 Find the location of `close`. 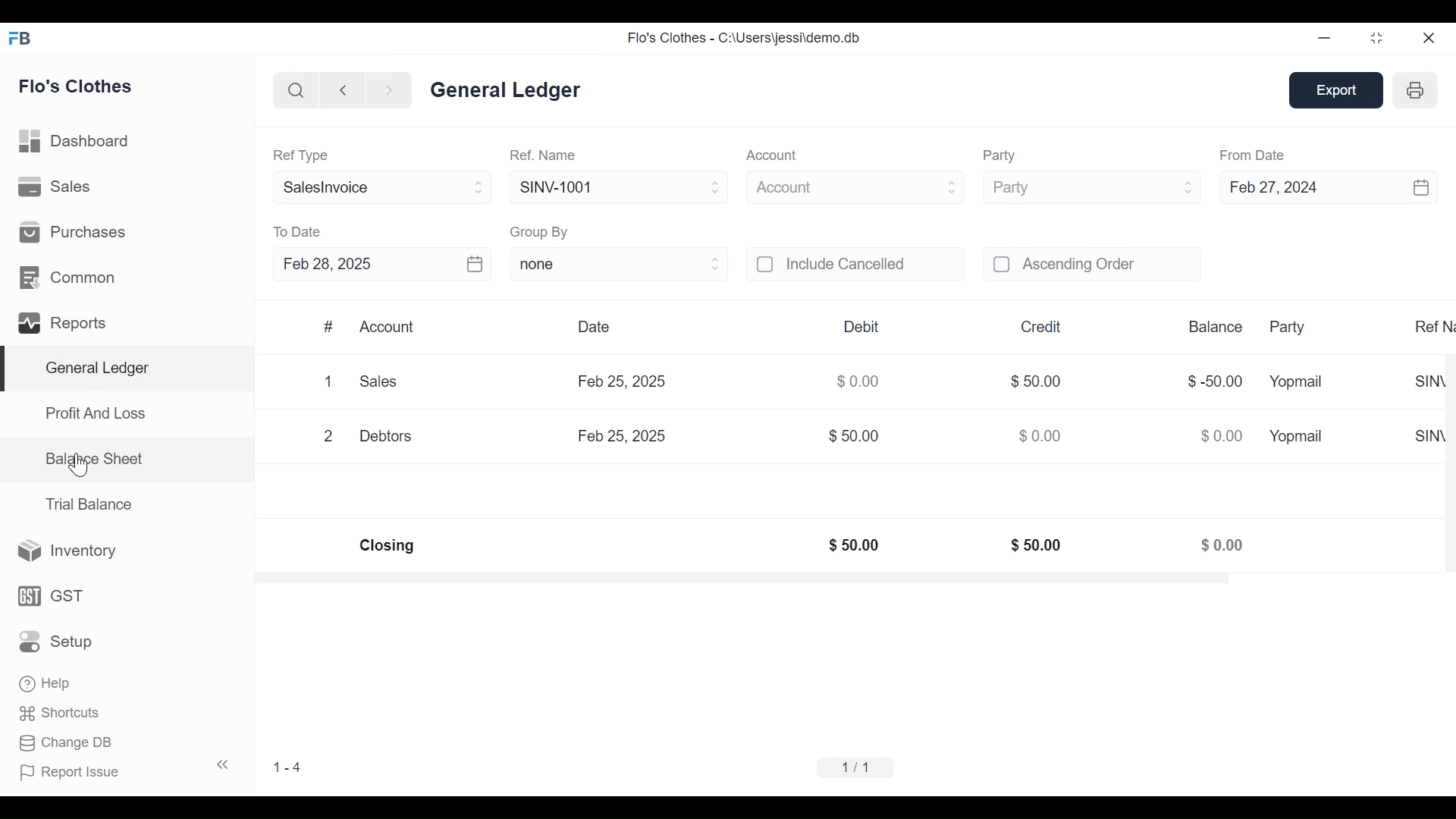

close is located at coordinates (1430, 37).